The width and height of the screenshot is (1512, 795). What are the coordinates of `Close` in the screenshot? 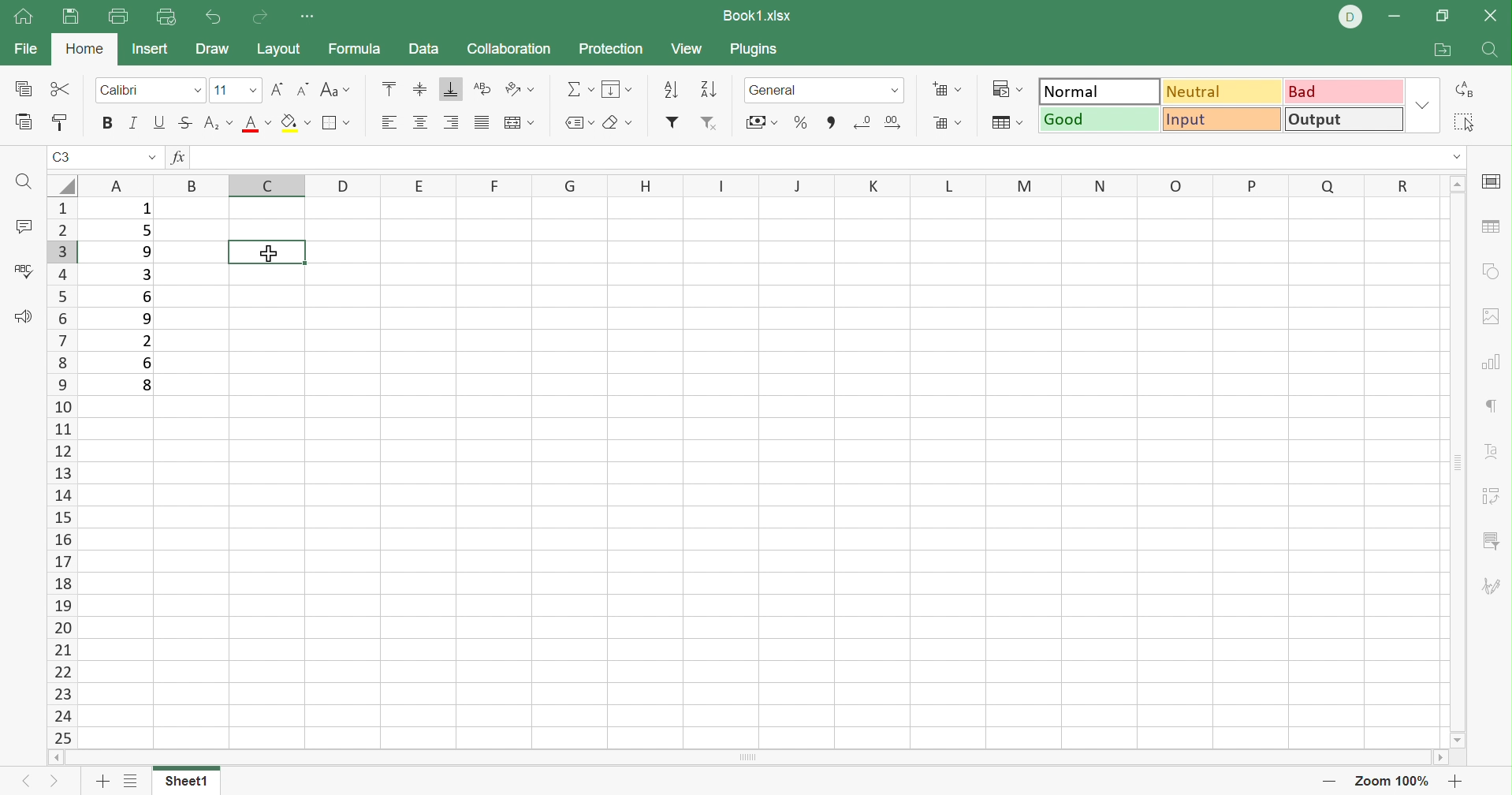 It's located at (1492, 17).